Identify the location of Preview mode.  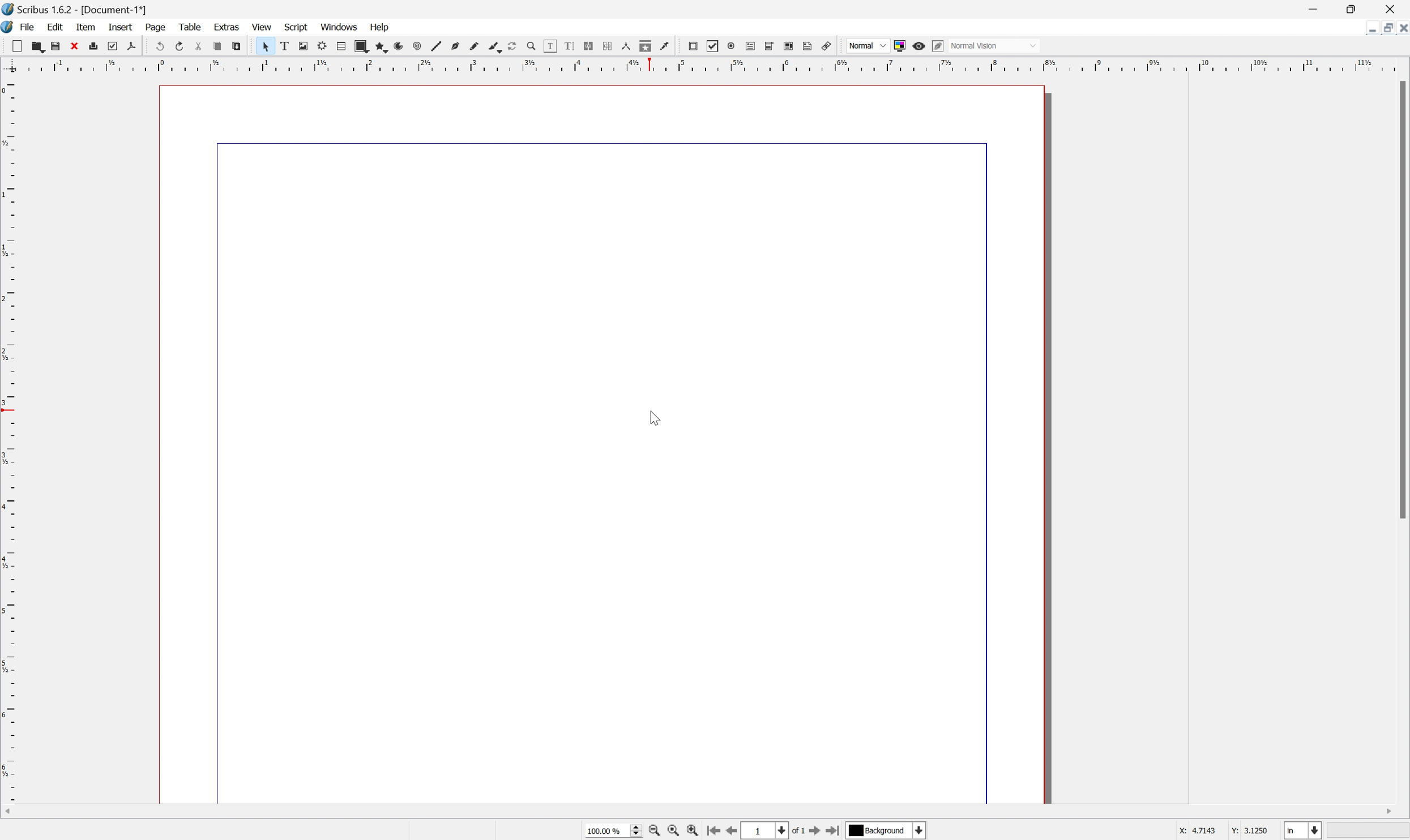
(918, 45).